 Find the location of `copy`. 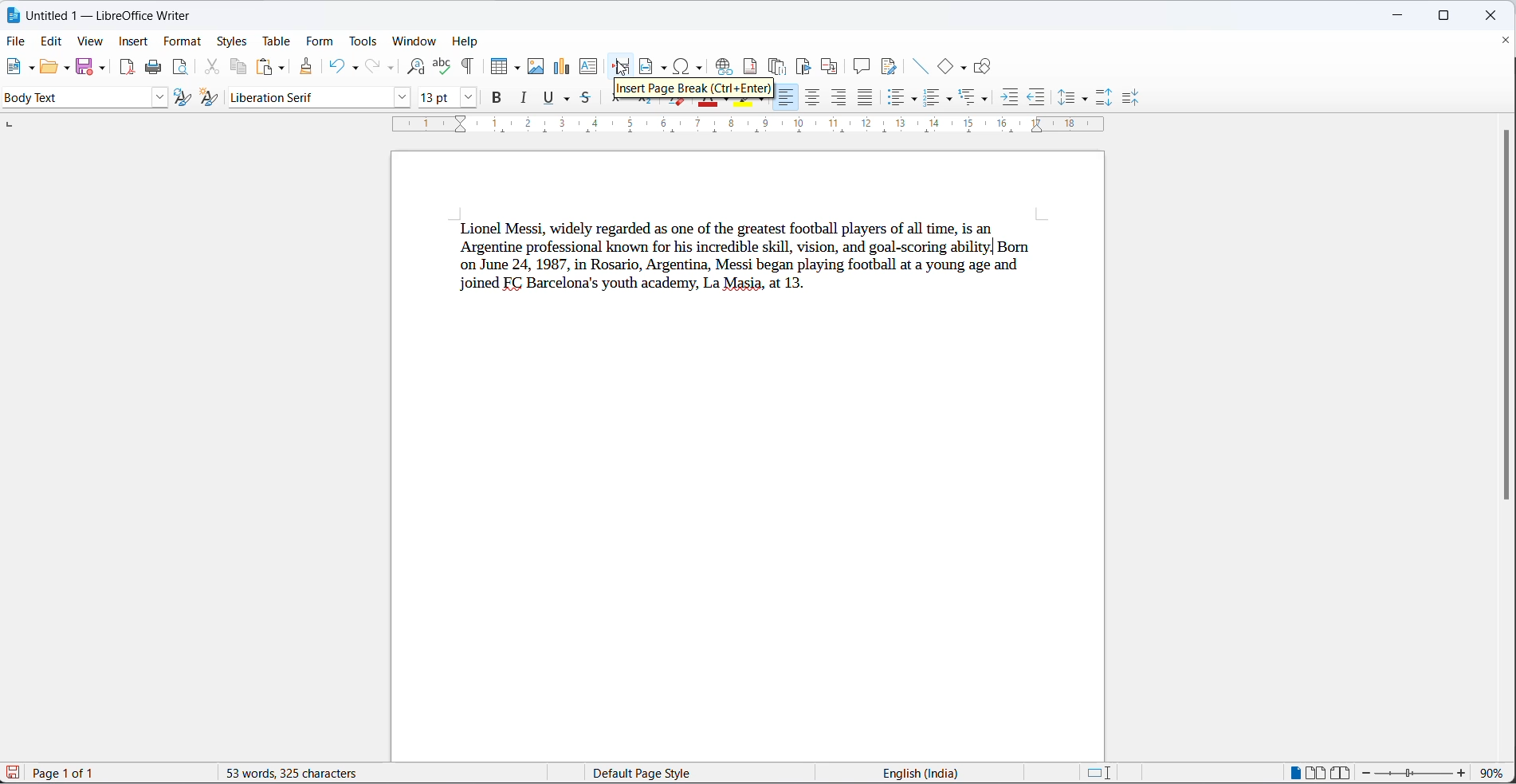

copy is located at coordinates (238, 68).